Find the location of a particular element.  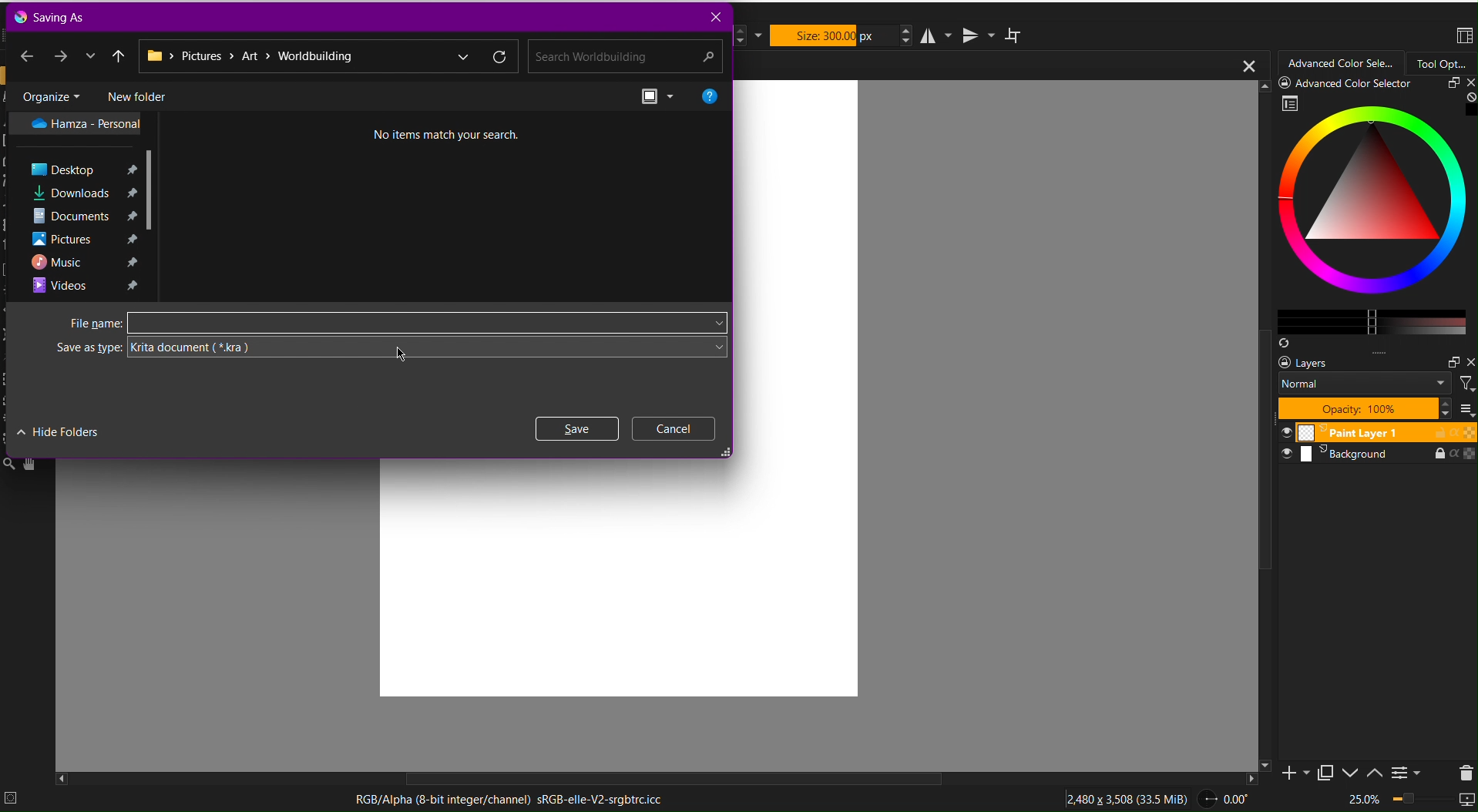

 is located at coordinates (576, 429).